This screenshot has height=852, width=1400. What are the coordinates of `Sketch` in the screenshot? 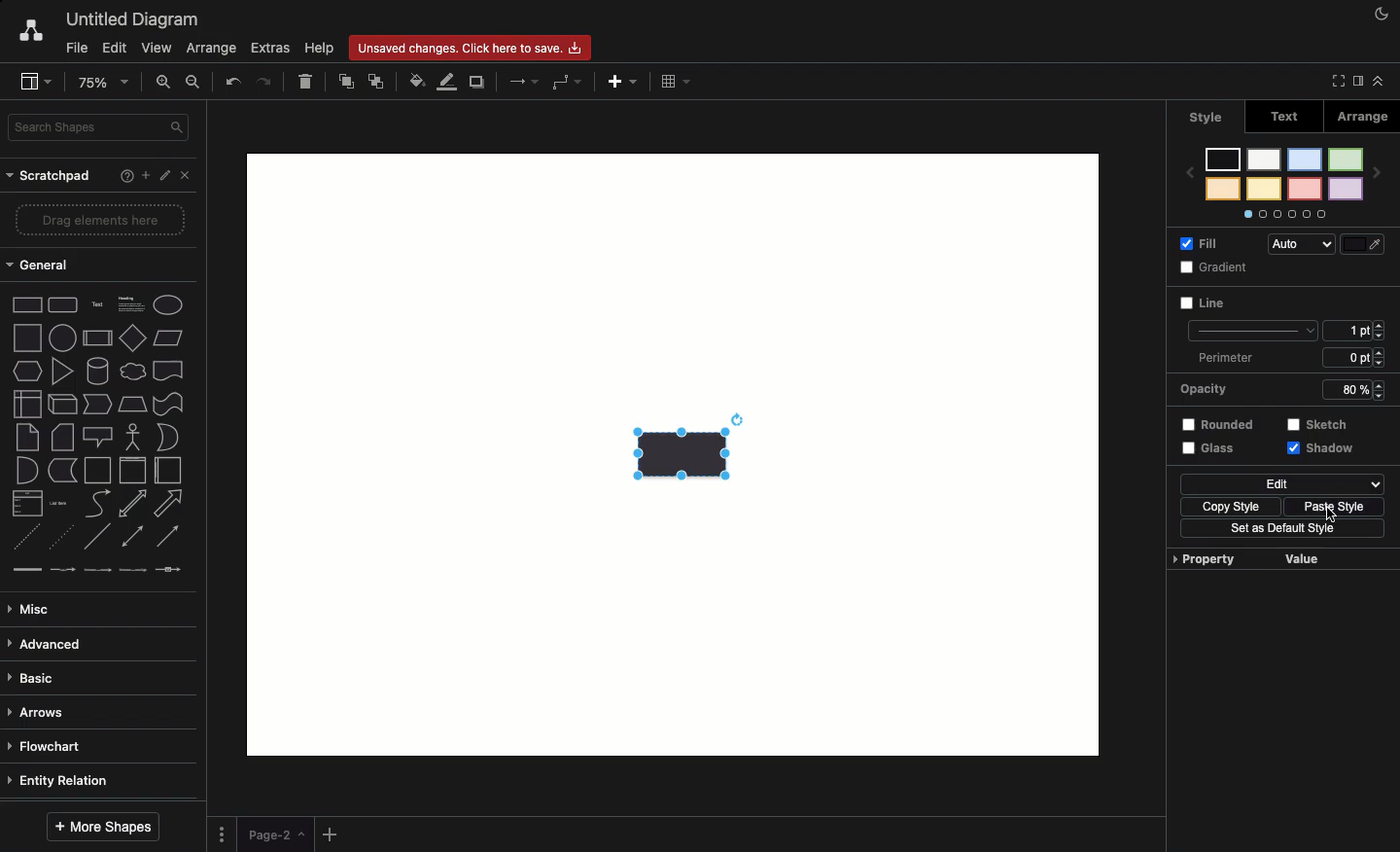 It's located at (1319, 424).